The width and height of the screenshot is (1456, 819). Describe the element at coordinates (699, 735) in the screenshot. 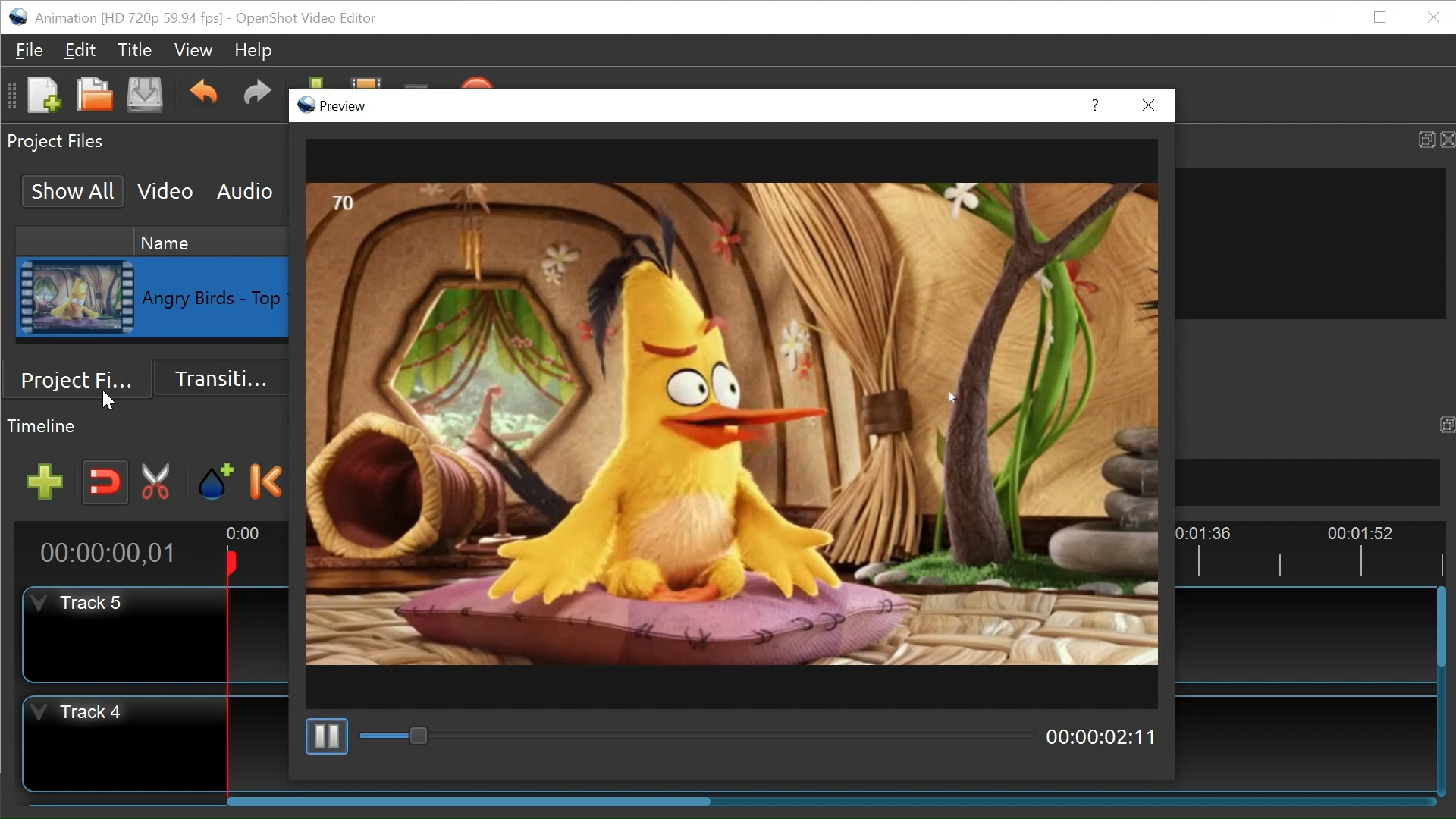

I see `Playback Slider` at that location.